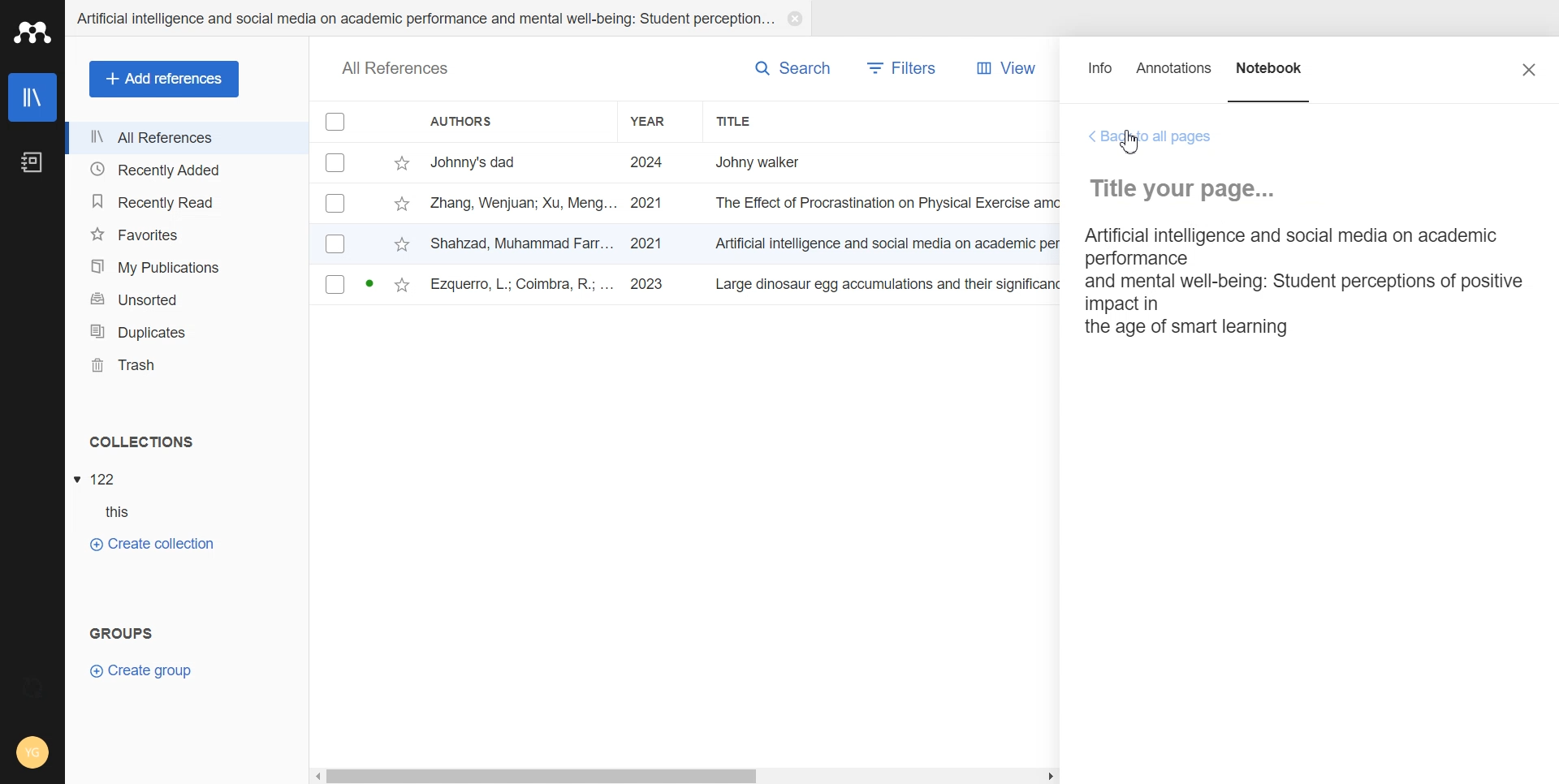  Describe the element at coordinates (1151, 137) in the screenshot. I see `Back to all Pages` at that location.